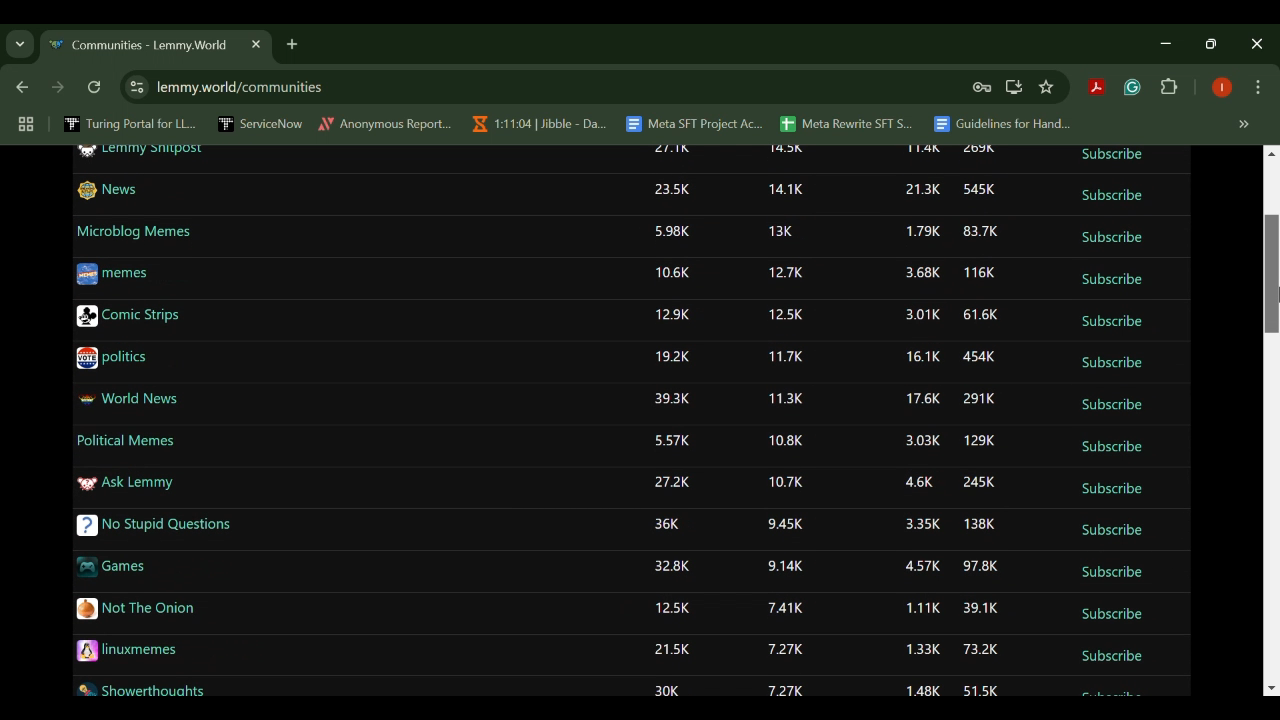 The height and width of the screenshot is (720, 1280). Describe the element at coordinates (1110, 237) in the screenshot. I see `Subscribe` at that location.